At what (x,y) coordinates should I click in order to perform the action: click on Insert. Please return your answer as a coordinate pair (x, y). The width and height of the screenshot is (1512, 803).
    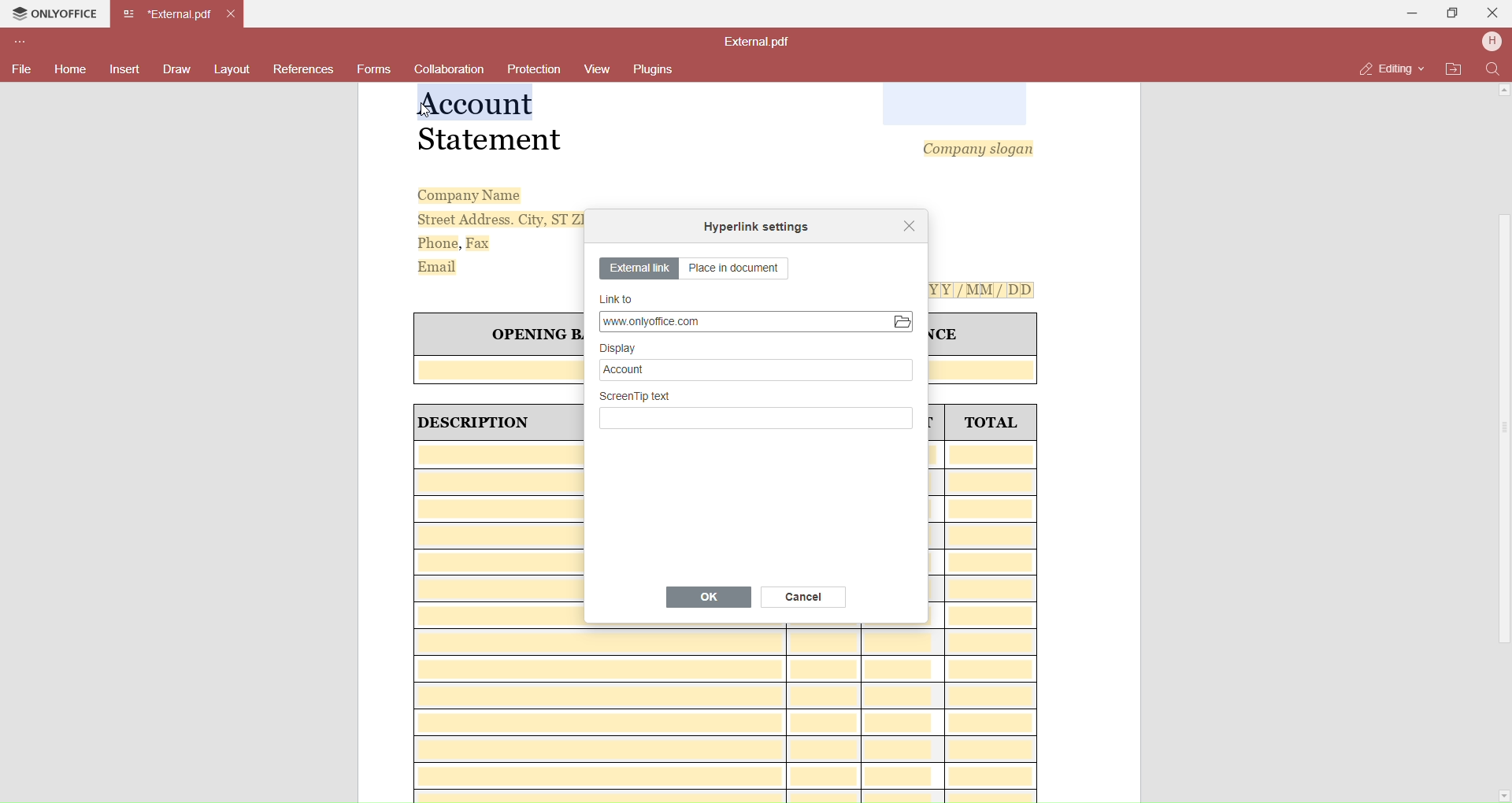
    Looking at the image, I should click on (127, 69).